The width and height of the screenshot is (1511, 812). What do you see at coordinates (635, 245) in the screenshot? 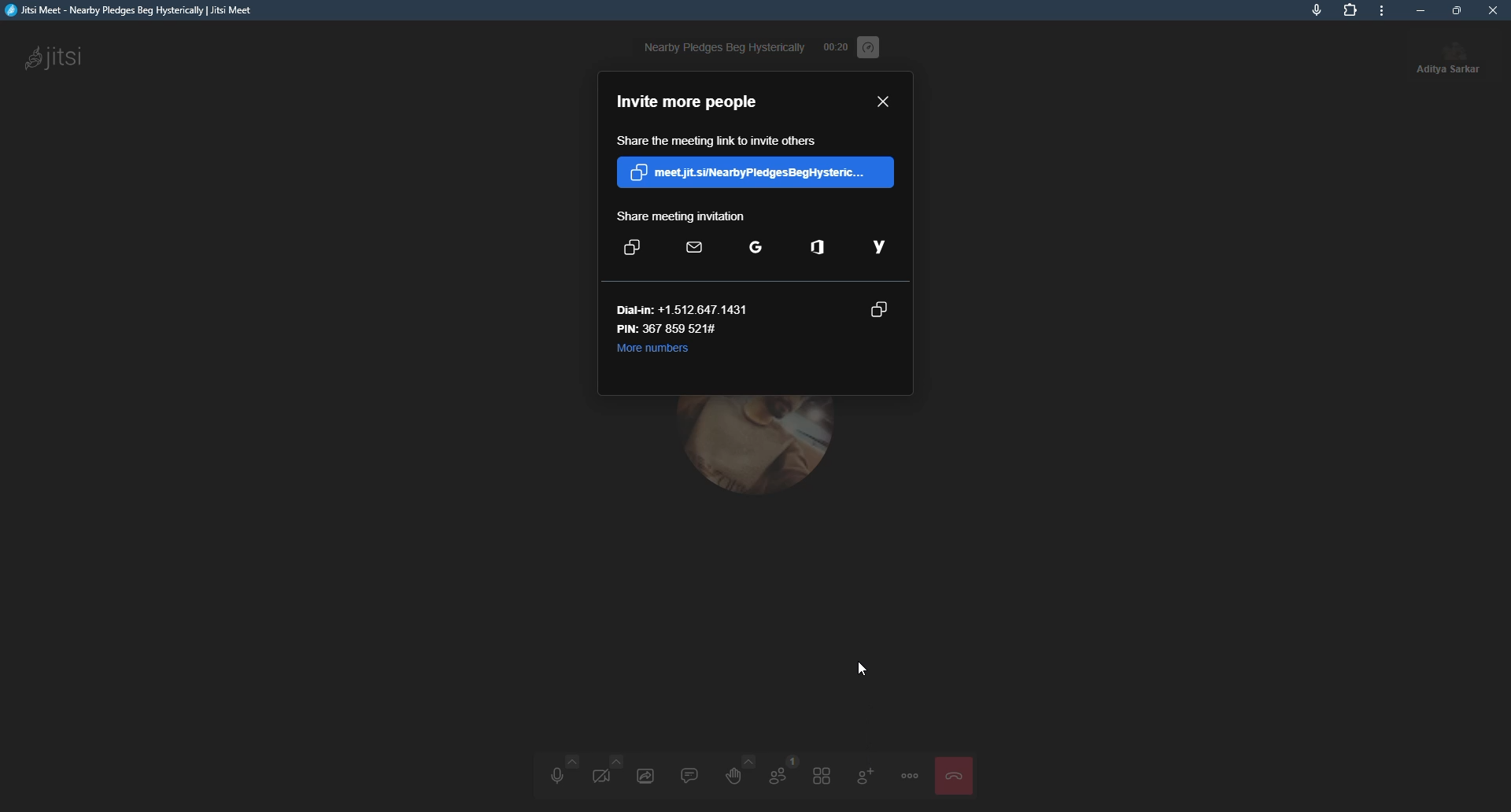
I see `copy` at bounding box center [635, 245].